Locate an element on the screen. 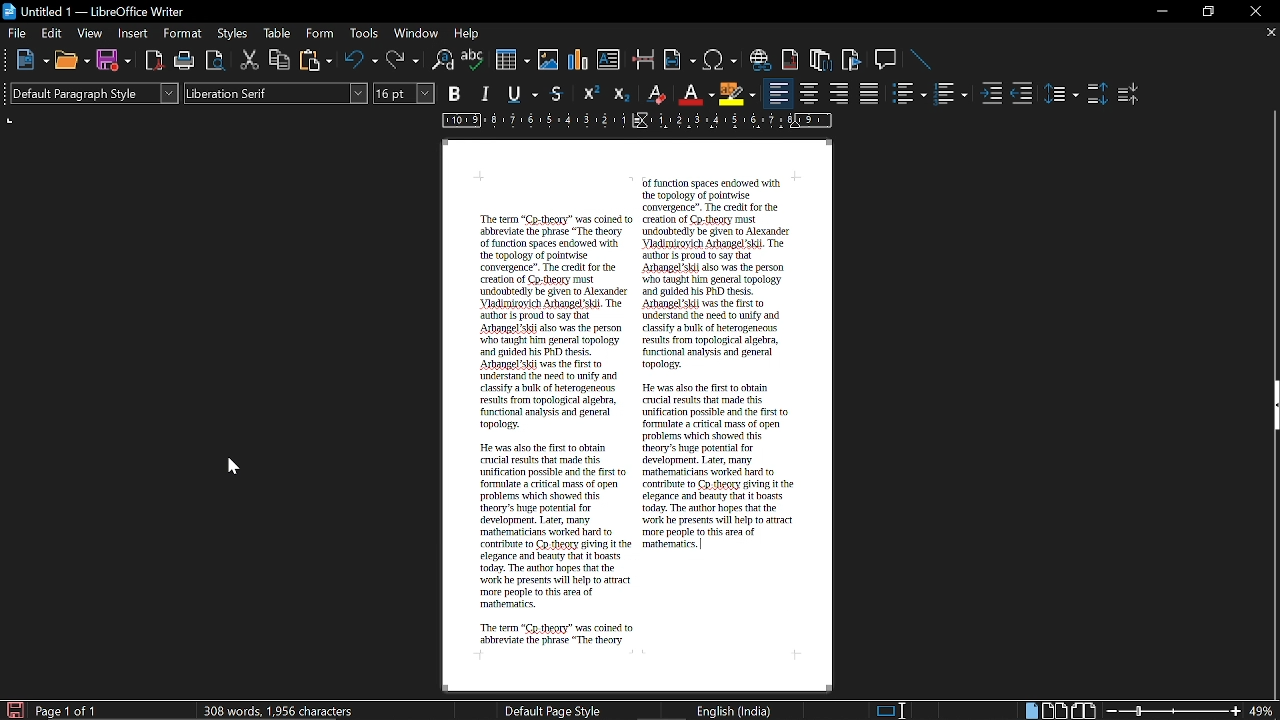 Image resolution: width=1280 pixels, height=720 pixels. Multiple page is located at coordinates (1054, 709).